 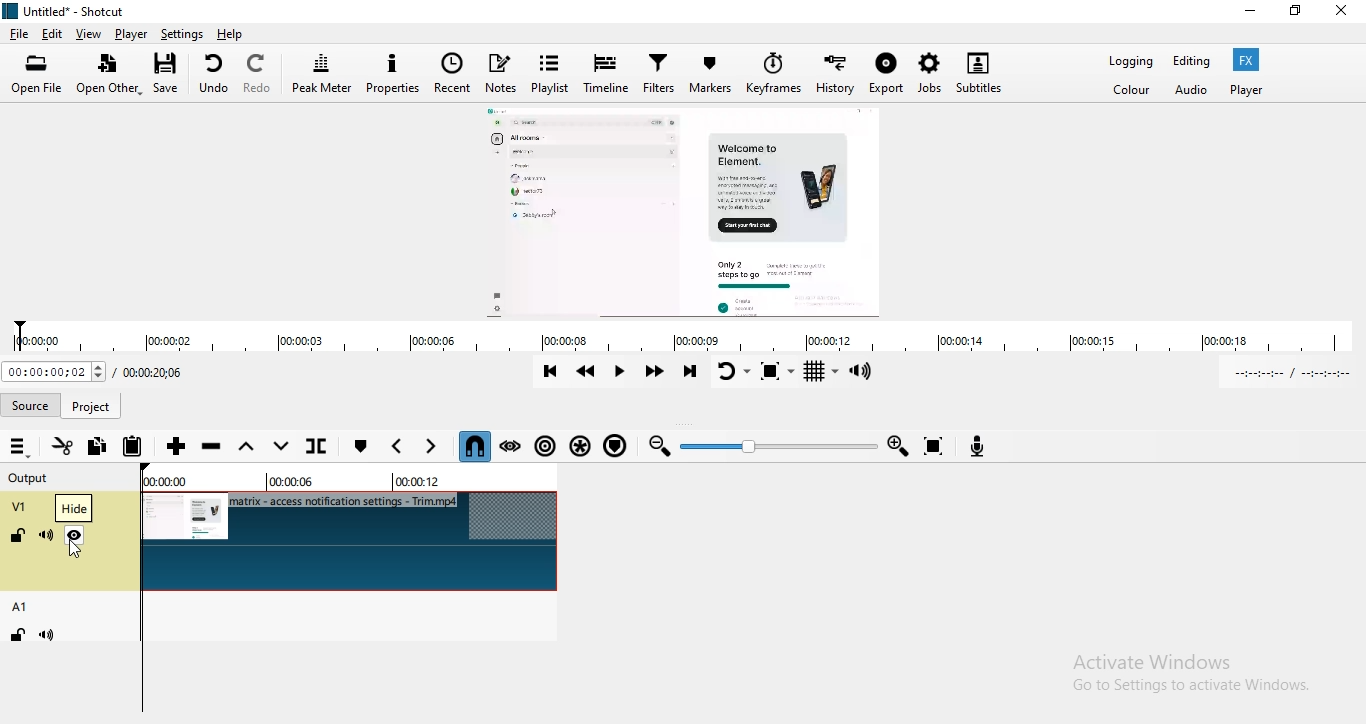 What do you see at coordinates (552, 70) in the screenshot?
I see `Playlist` at bounding box center [552, 70].